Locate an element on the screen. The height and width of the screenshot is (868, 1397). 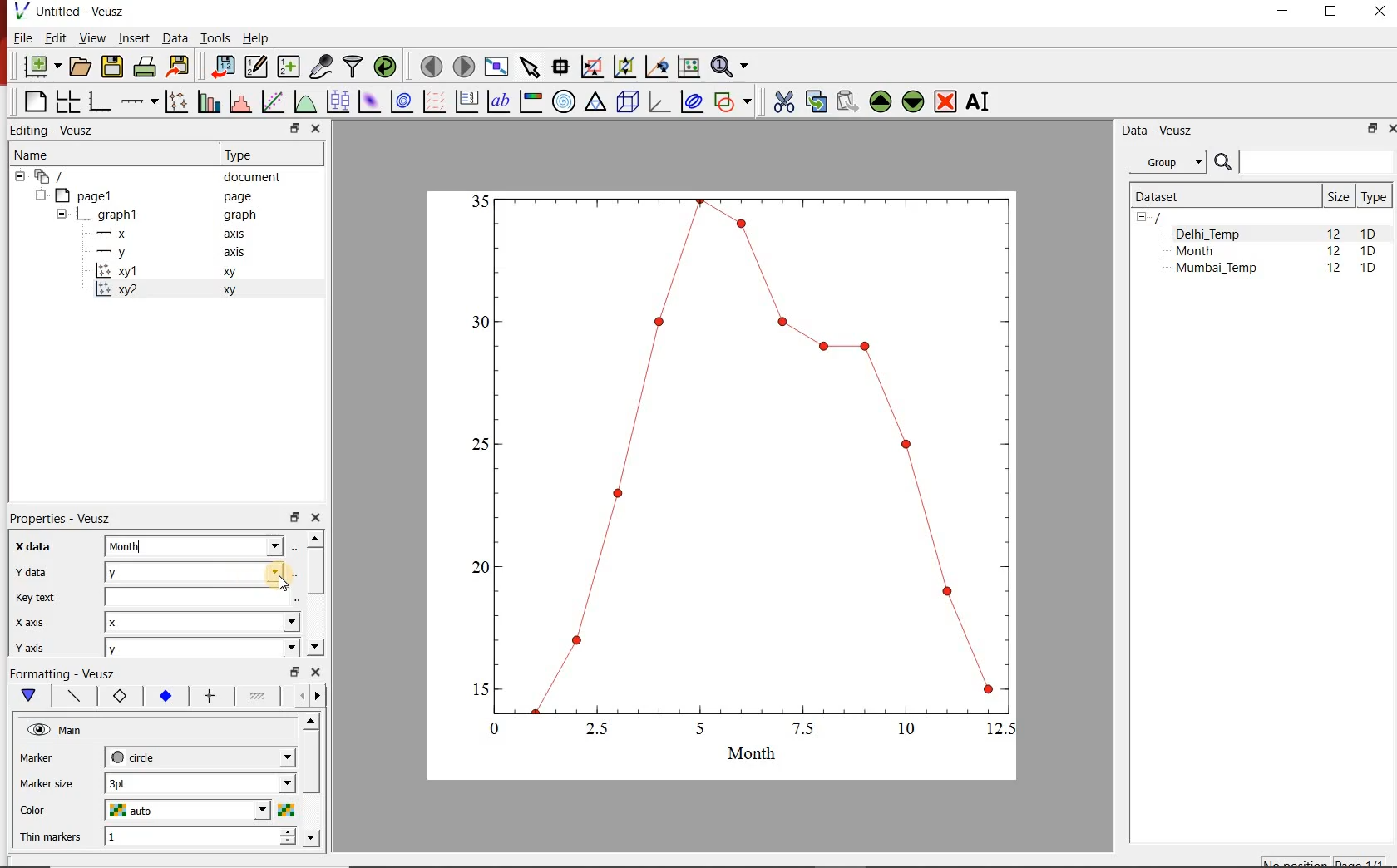
Untitled-Veusz is located at coordinates (74, 11).